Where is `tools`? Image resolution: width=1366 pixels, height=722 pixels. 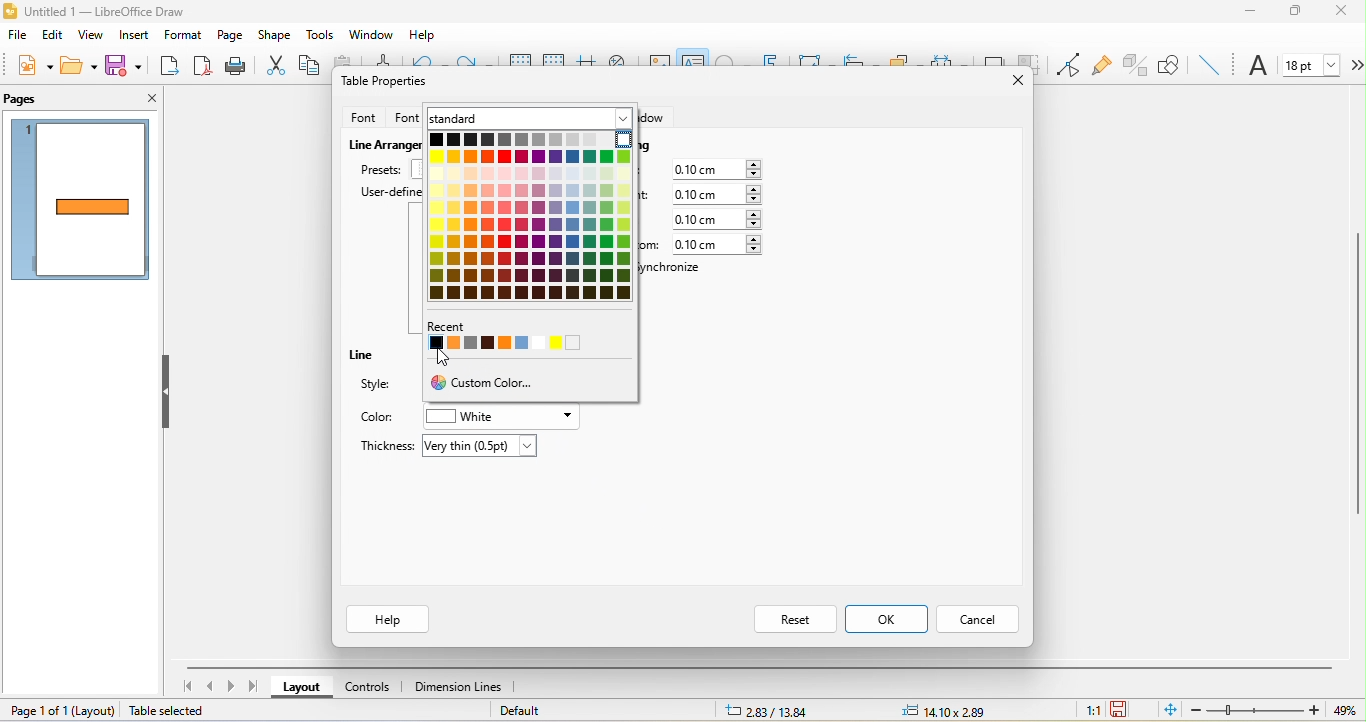
tools is located at coordinates (317, 35).